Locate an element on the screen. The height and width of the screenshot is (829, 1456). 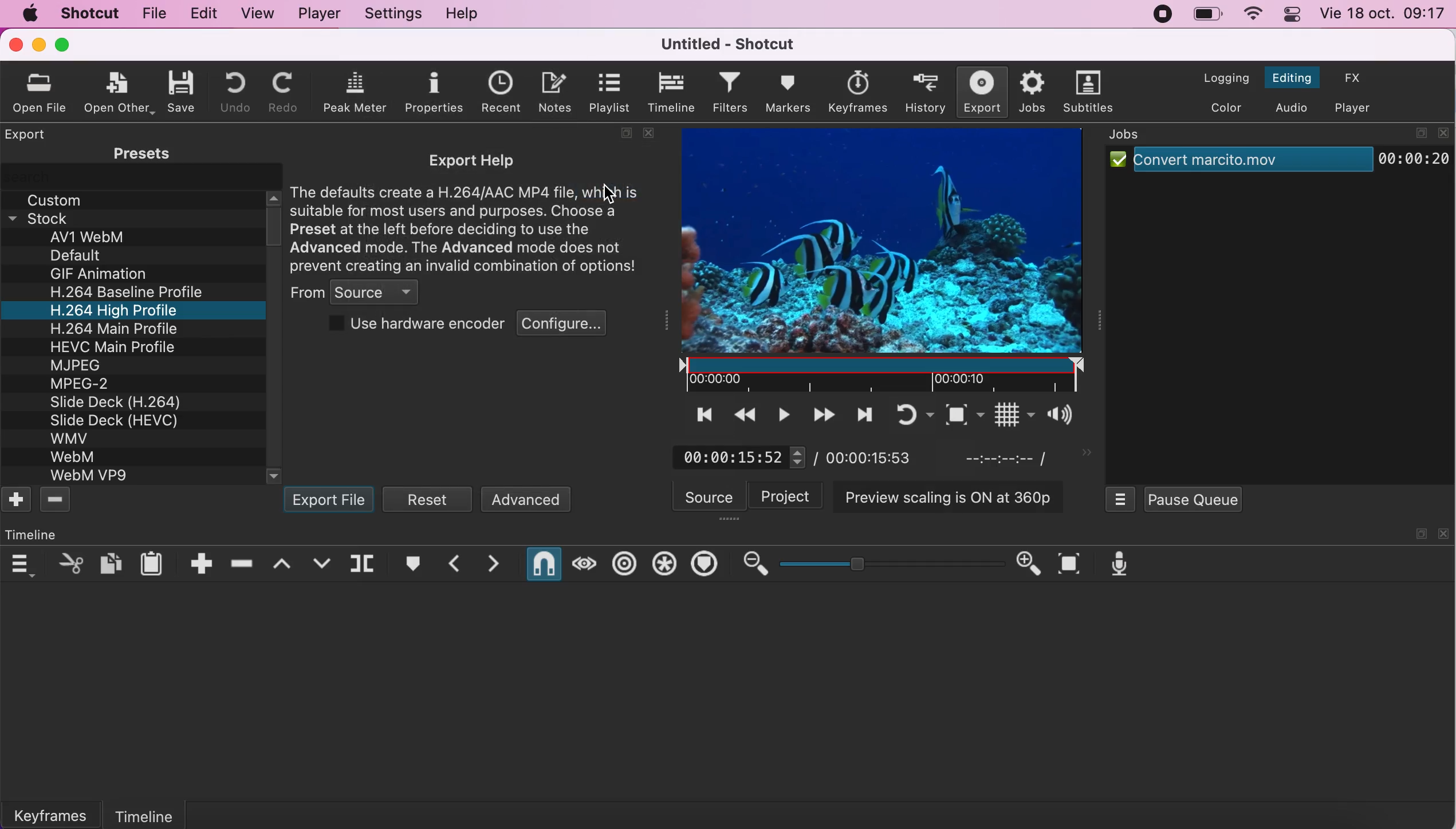
Slide Deck (HEVC) is located at coordinates (121, 420).